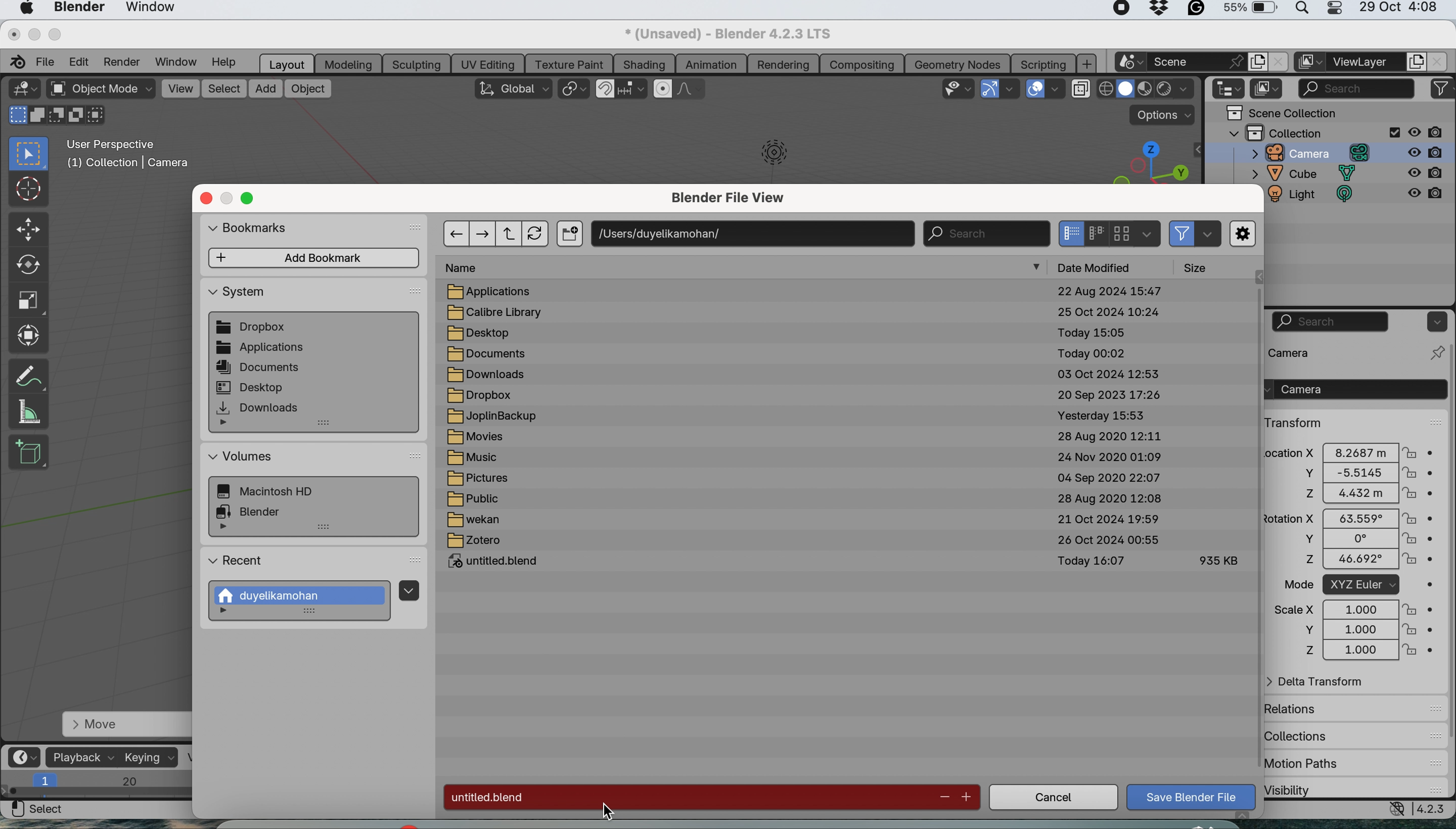  Describe the element at coordinates (1244, 235) in the screenshot. I see `more settings` at that location.